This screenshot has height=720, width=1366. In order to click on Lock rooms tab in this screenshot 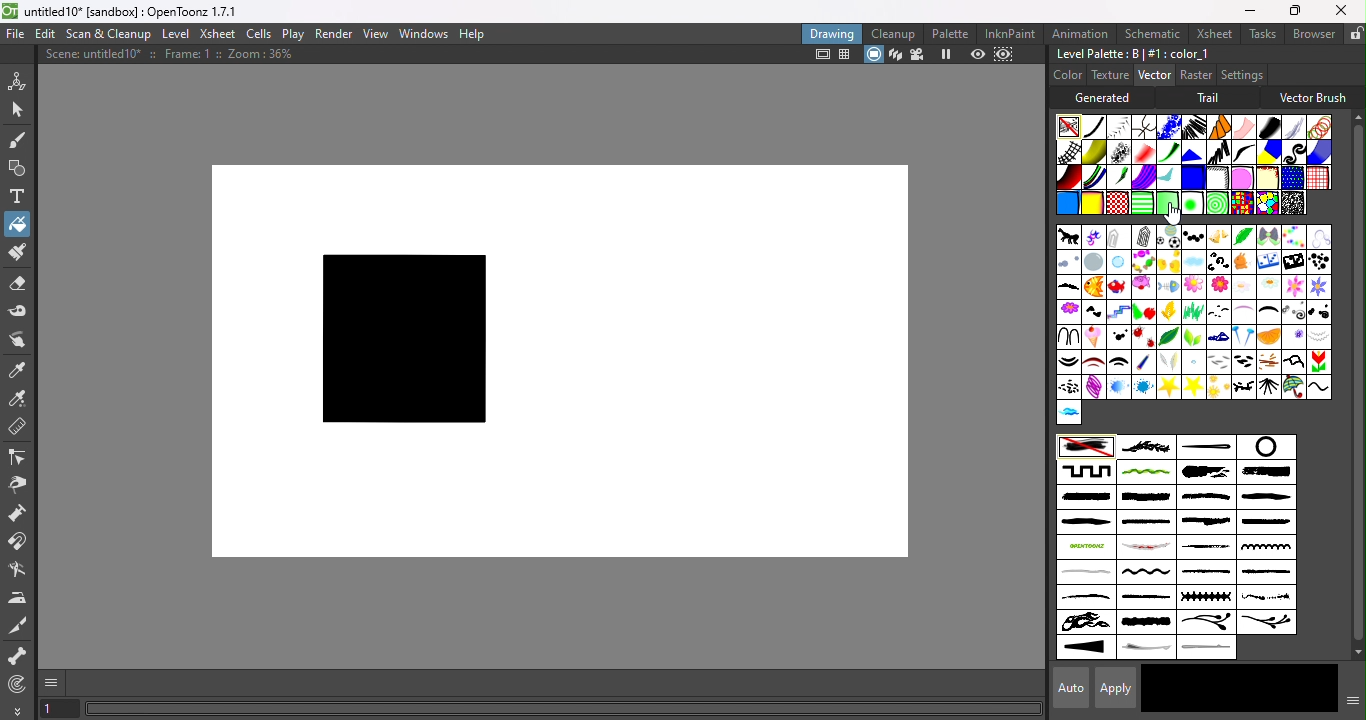, I will do `click(1356, 33)`.